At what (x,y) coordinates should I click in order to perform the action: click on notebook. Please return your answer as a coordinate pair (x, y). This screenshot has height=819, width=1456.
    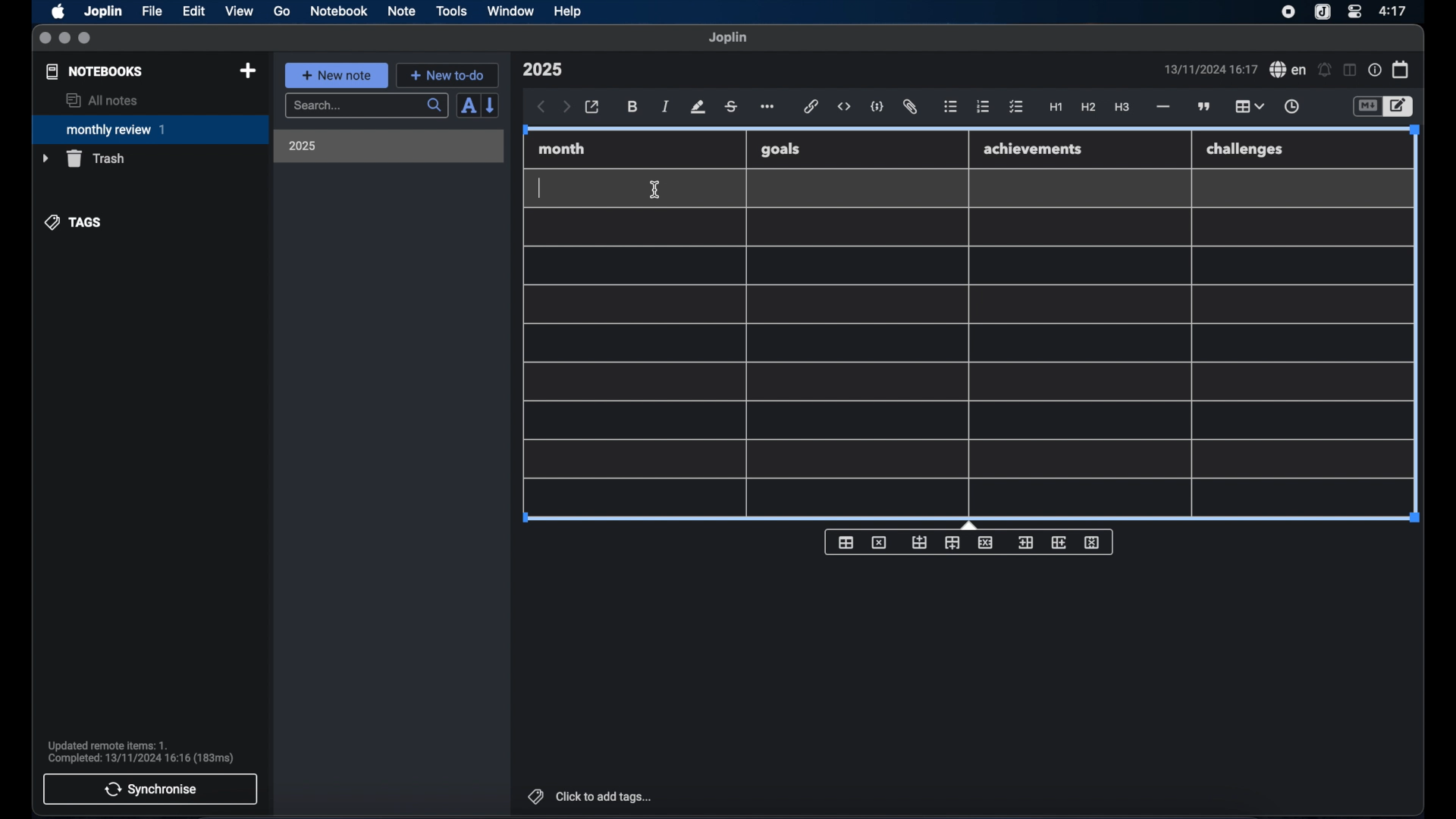
    Looking at the image, I should click on (339, 11).